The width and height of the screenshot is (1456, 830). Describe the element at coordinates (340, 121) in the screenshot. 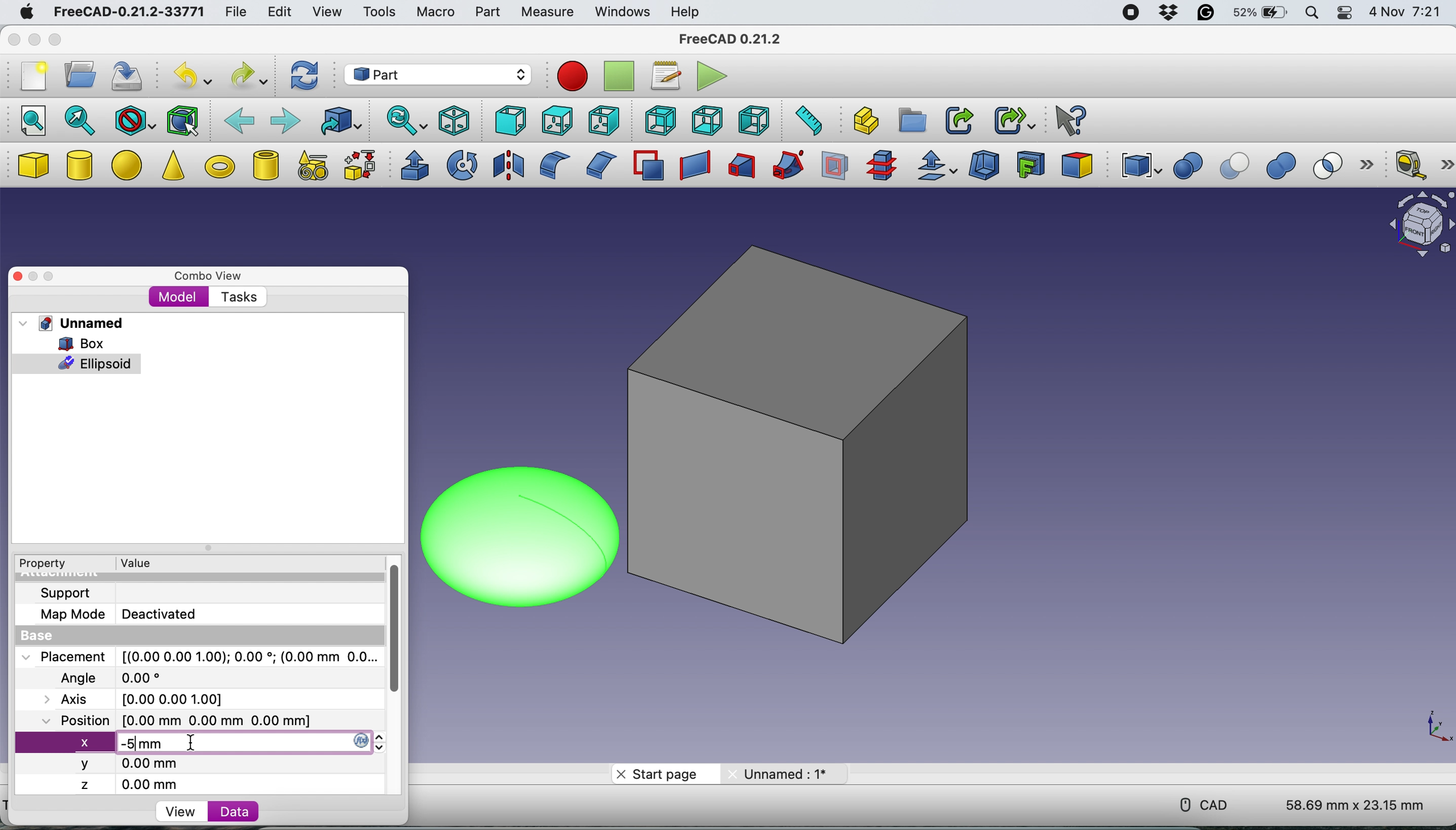

I see `go to linked object` at that location.